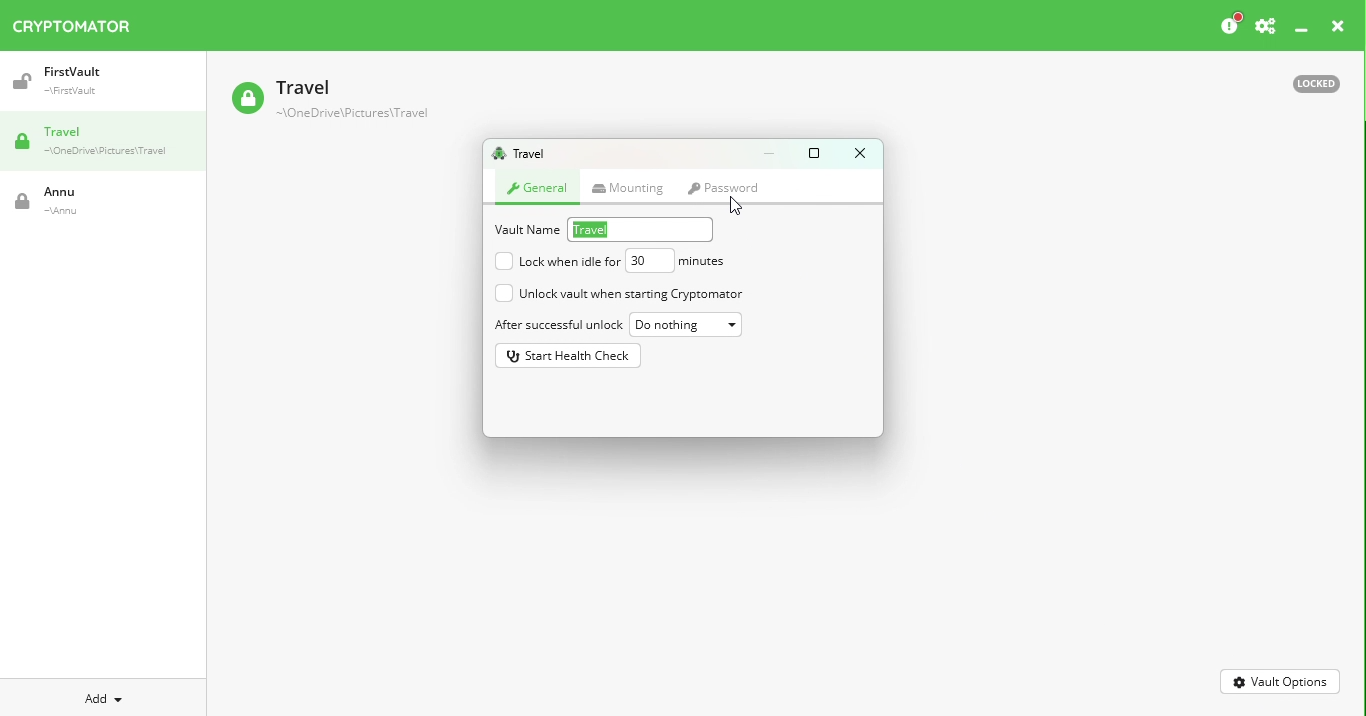  Describe the element at coordinates (1302, 31) in the screenshot. I see `Minimize` at that location.